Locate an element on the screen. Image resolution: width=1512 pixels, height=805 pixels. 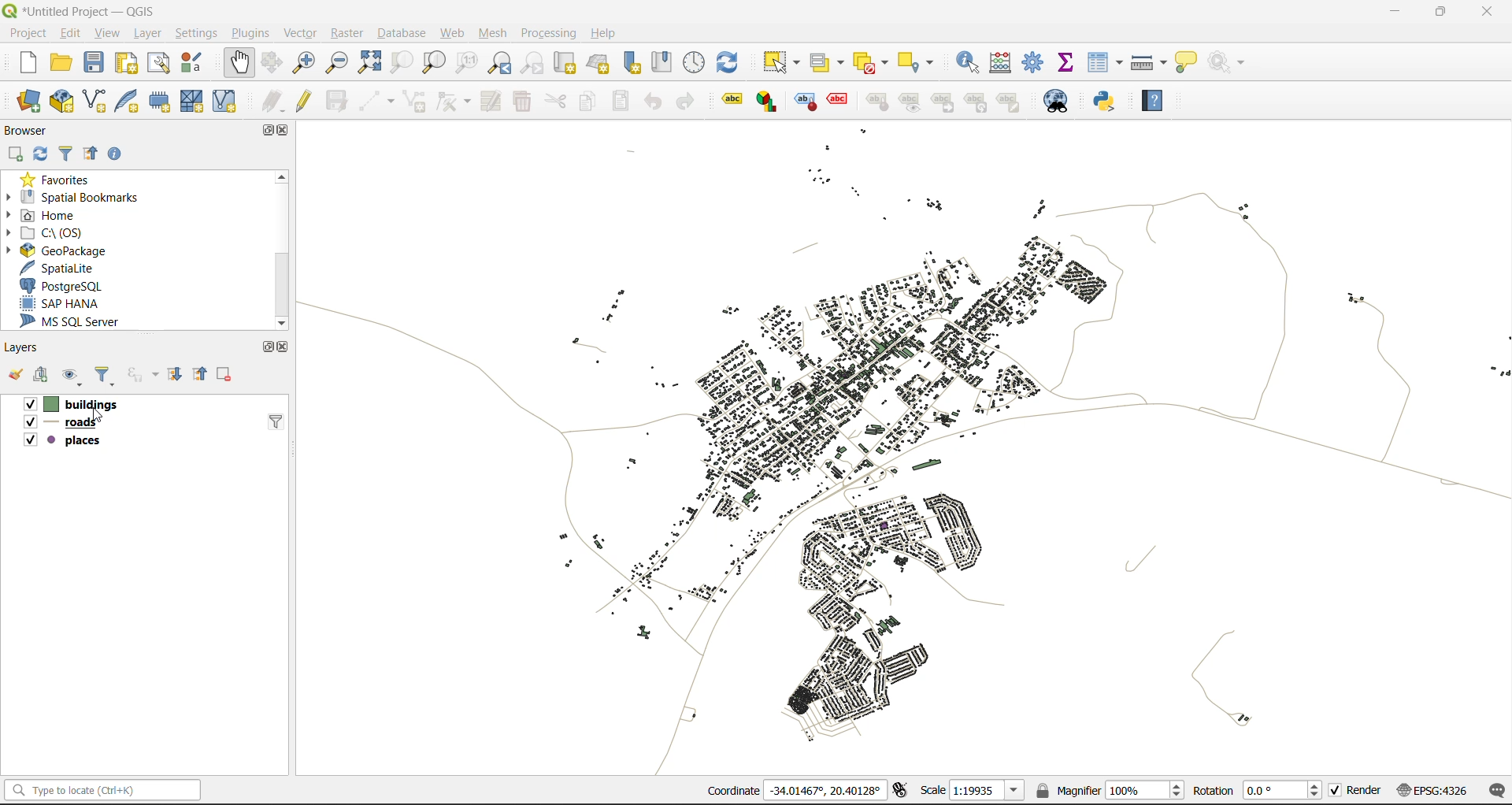
remove is located at coordinates (228, 375).